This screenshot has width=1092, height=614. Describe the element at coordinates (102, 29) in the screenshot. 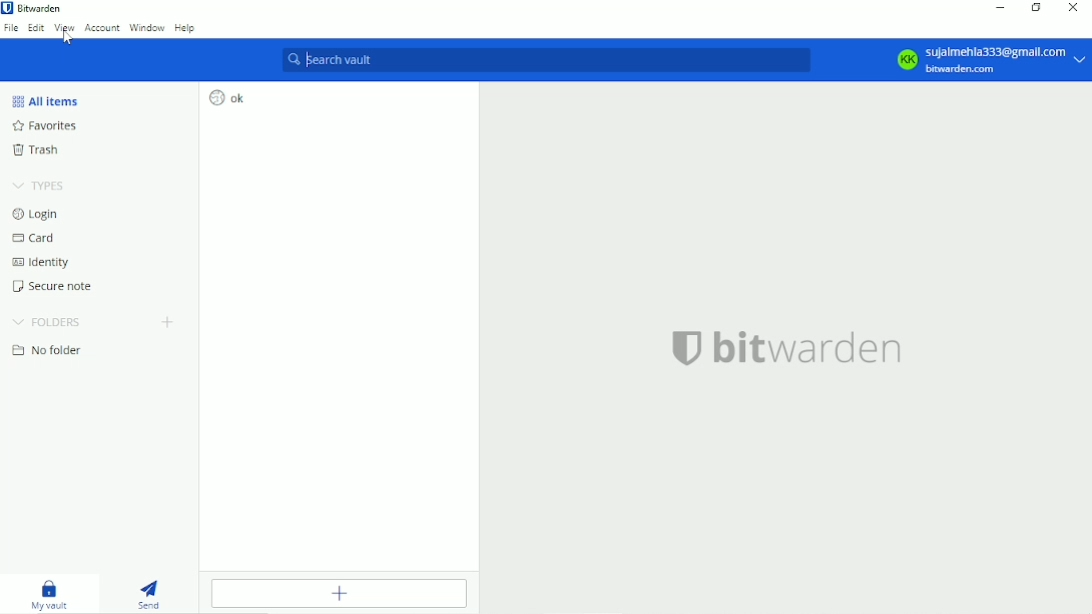

I see `Account` at that location.